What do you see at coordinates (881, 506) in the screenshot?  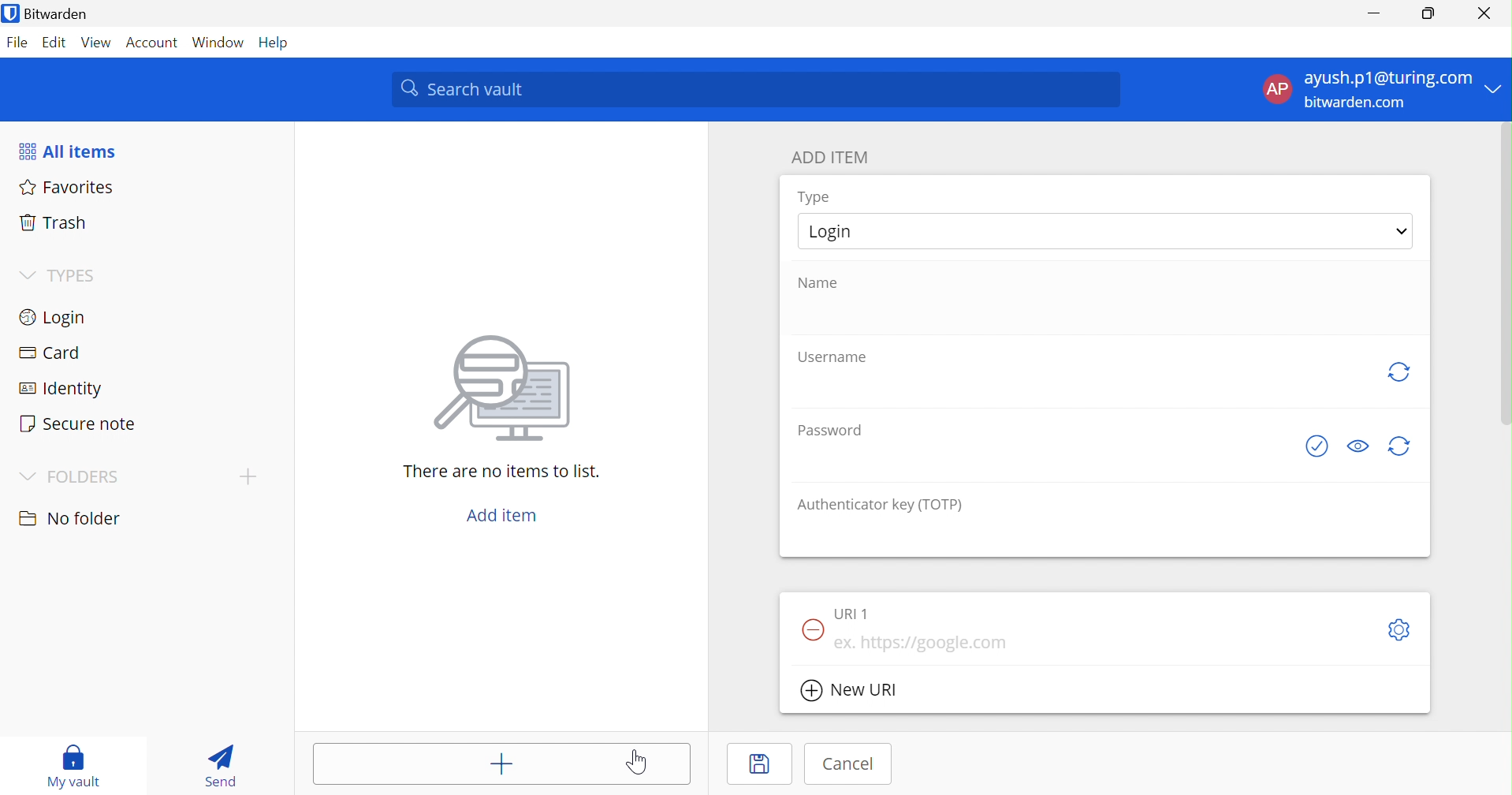 I see `Authenticator key (TOTP)` at bounding box center [881, 506].